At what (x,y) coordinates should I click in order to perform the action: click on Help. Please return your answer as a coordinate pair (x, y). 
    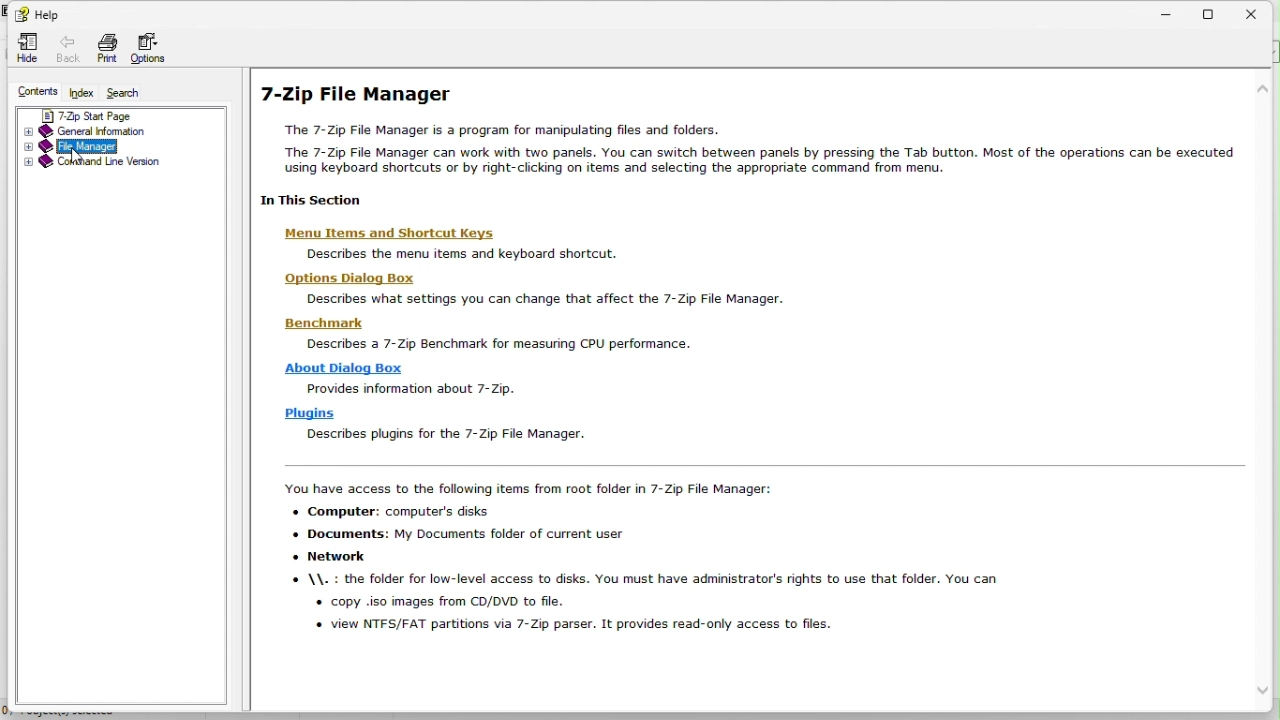
    Looking at the image, I should click on (36, 12).